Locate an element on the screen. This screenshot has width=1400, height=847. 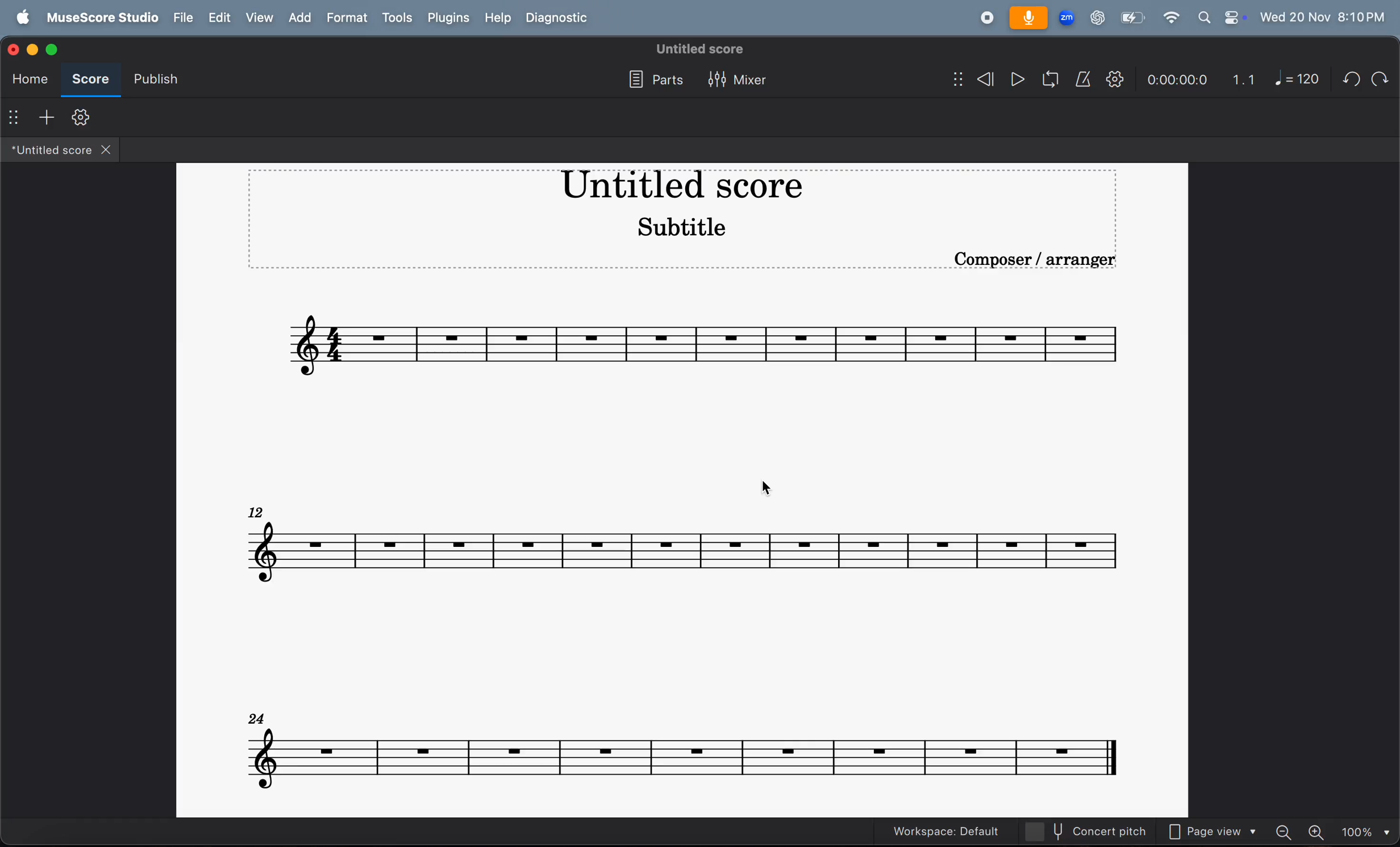
subtitle is located at coordinates (680, 227).